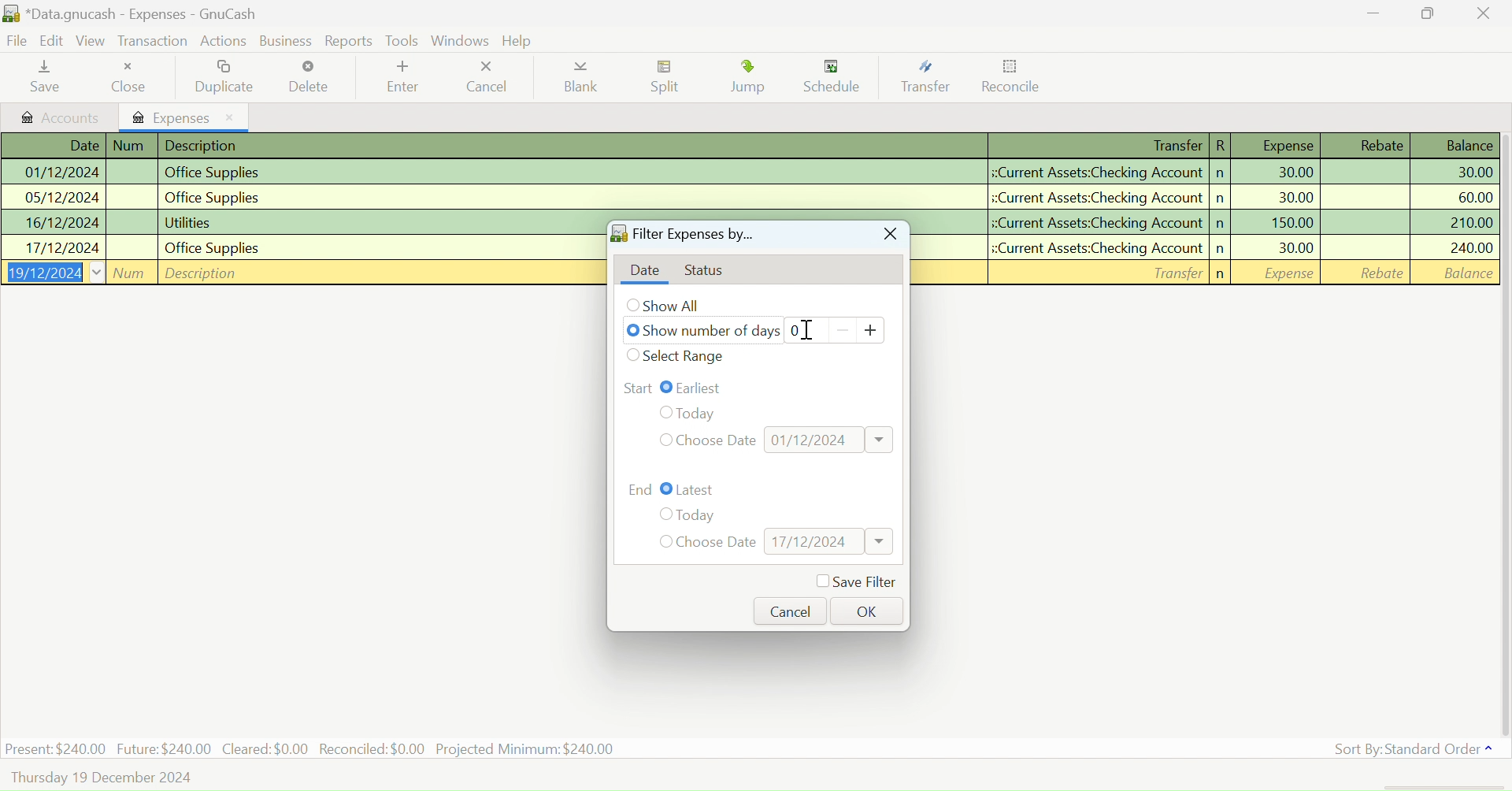 The width and height of the screenshot is (1512, 791). Describe the element at coordinates (682, 236) in the screenshot. I see `Filter Expenses by...` at that location.